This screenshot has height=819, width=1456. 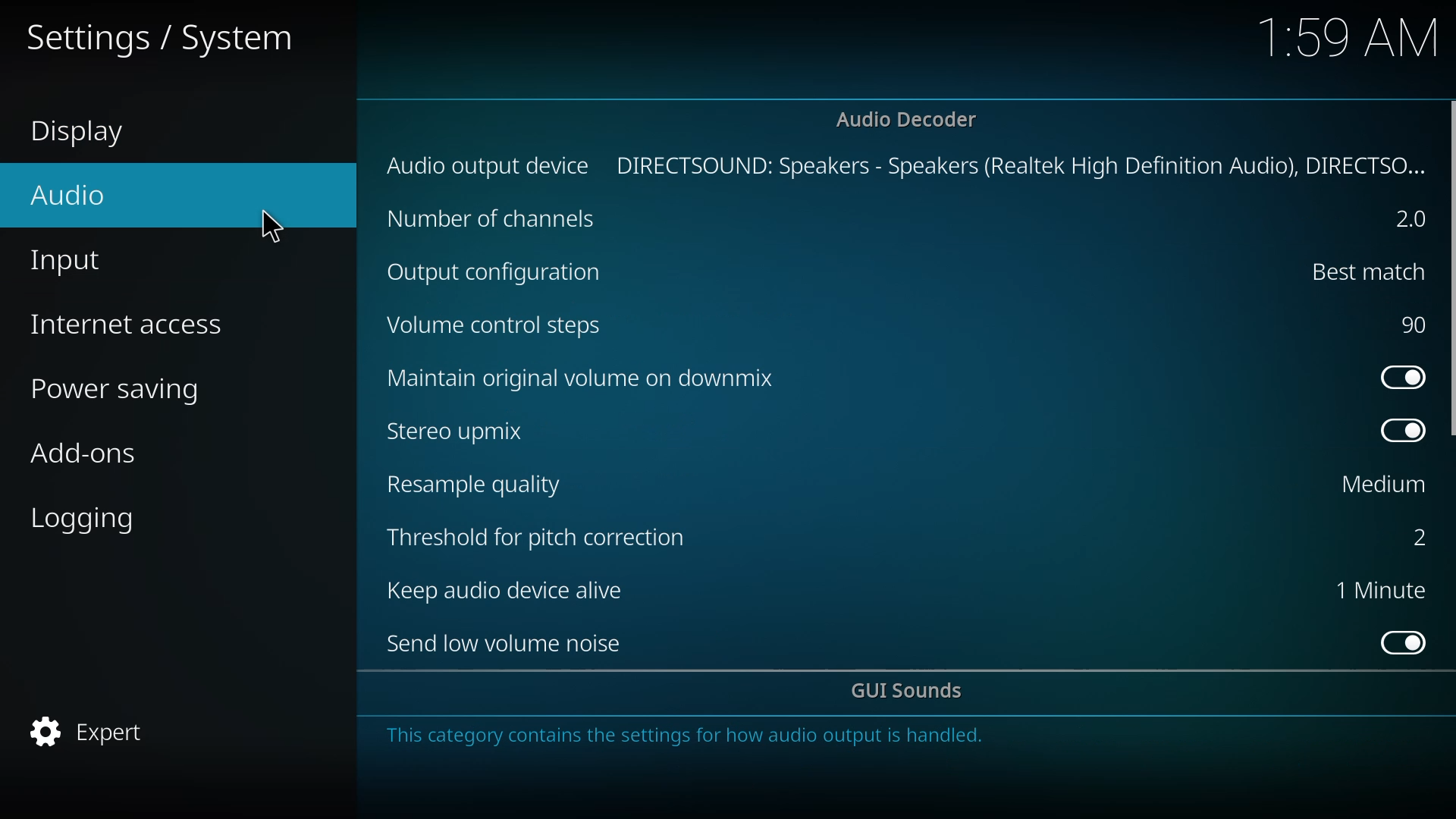 I want to click on enabled, so click(x=1397, y=375).